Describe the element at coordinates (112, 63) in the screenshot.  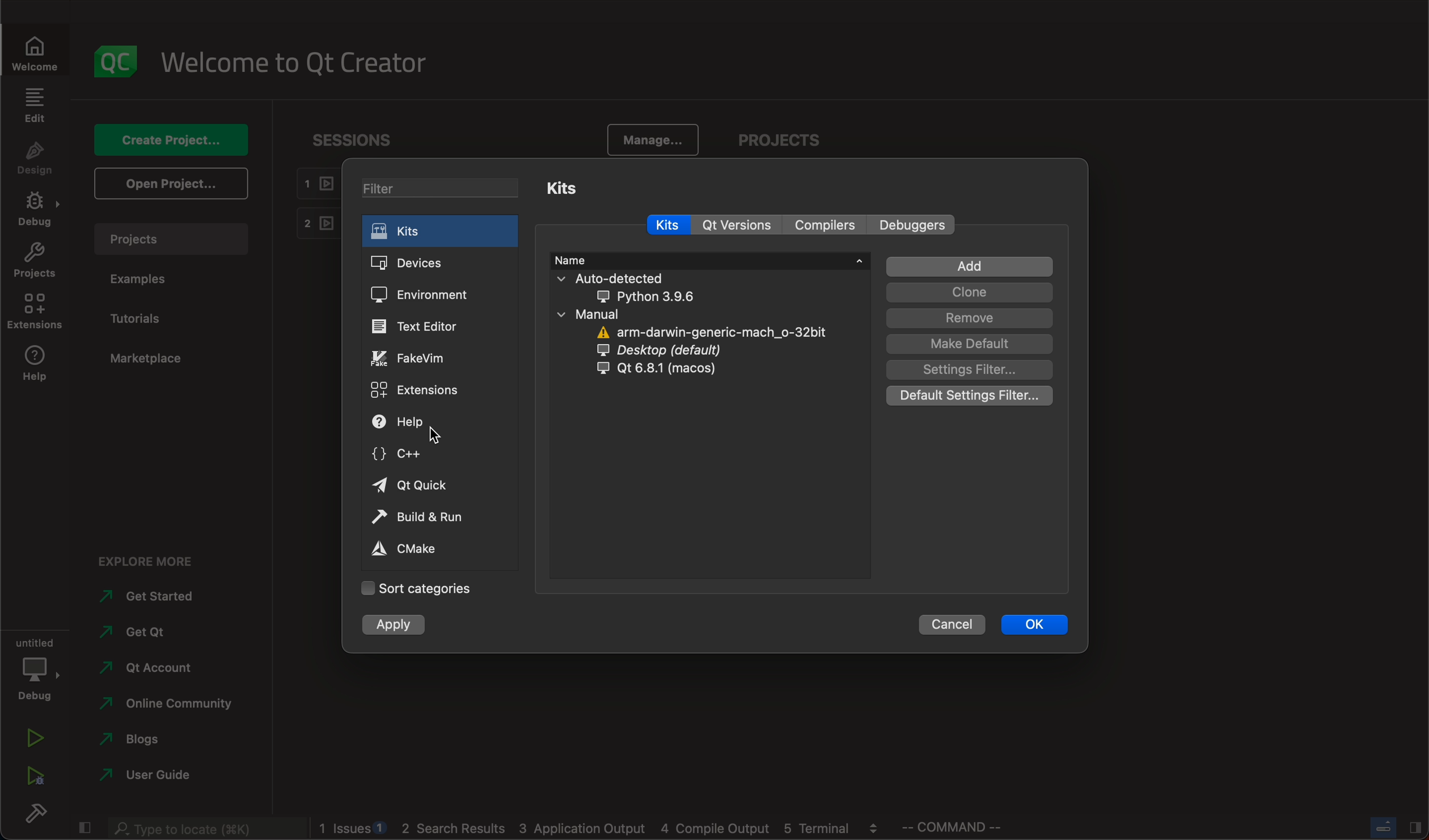
I see `logo` at that location.